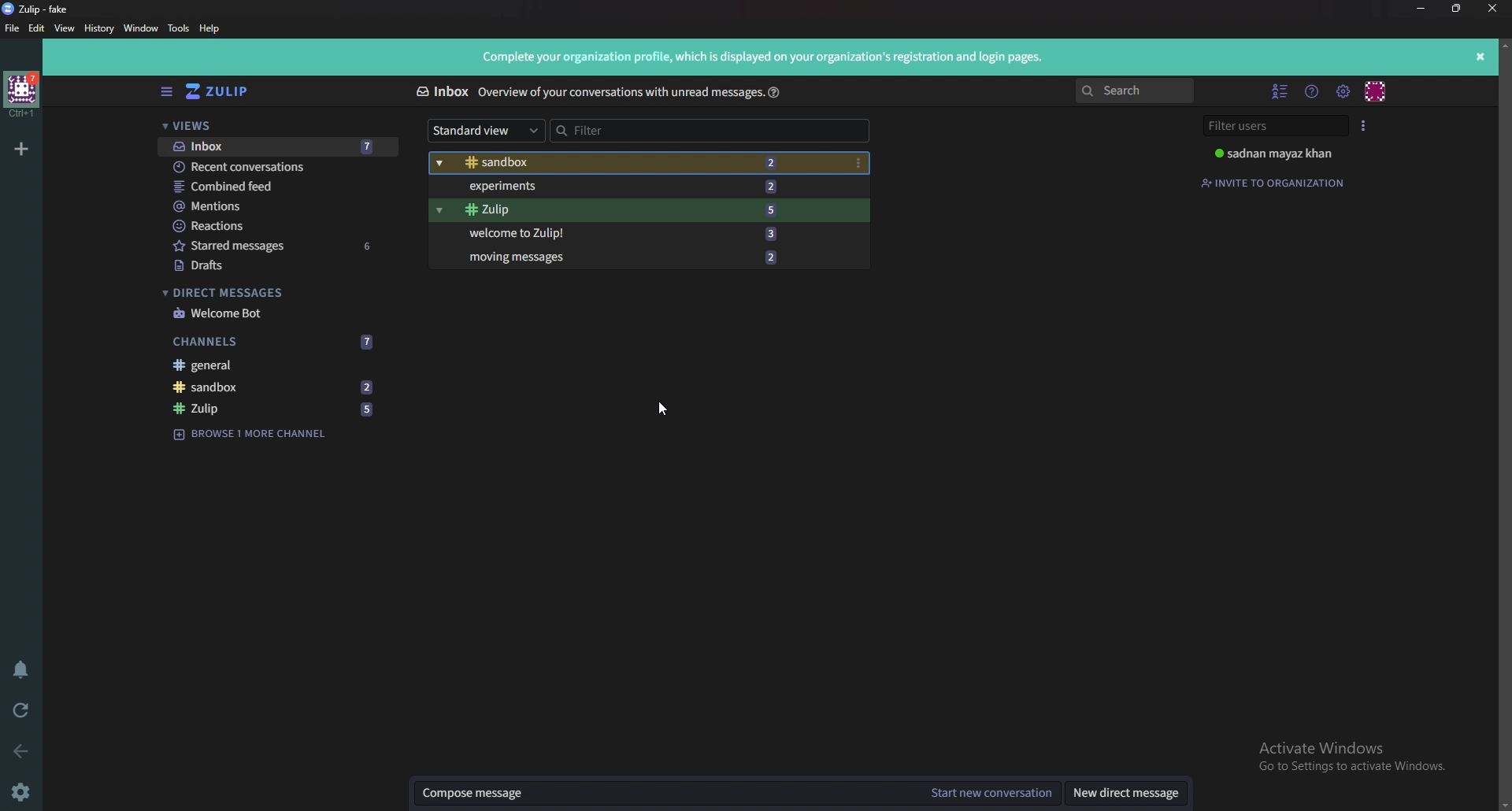 This screenshot has height=811, width=1512. I want to click on Compose message, so click(666, 794).